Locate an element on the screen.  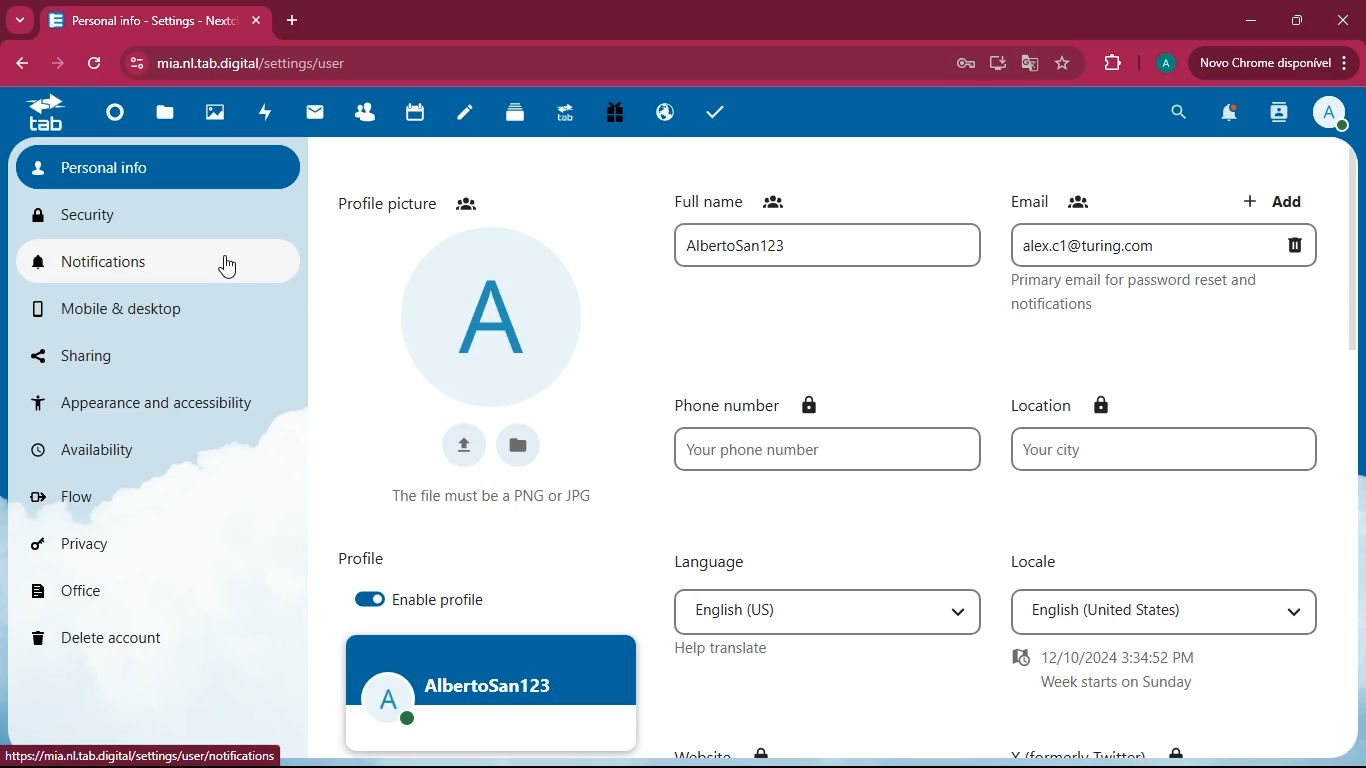
friends is located at coordinates (359, 113).